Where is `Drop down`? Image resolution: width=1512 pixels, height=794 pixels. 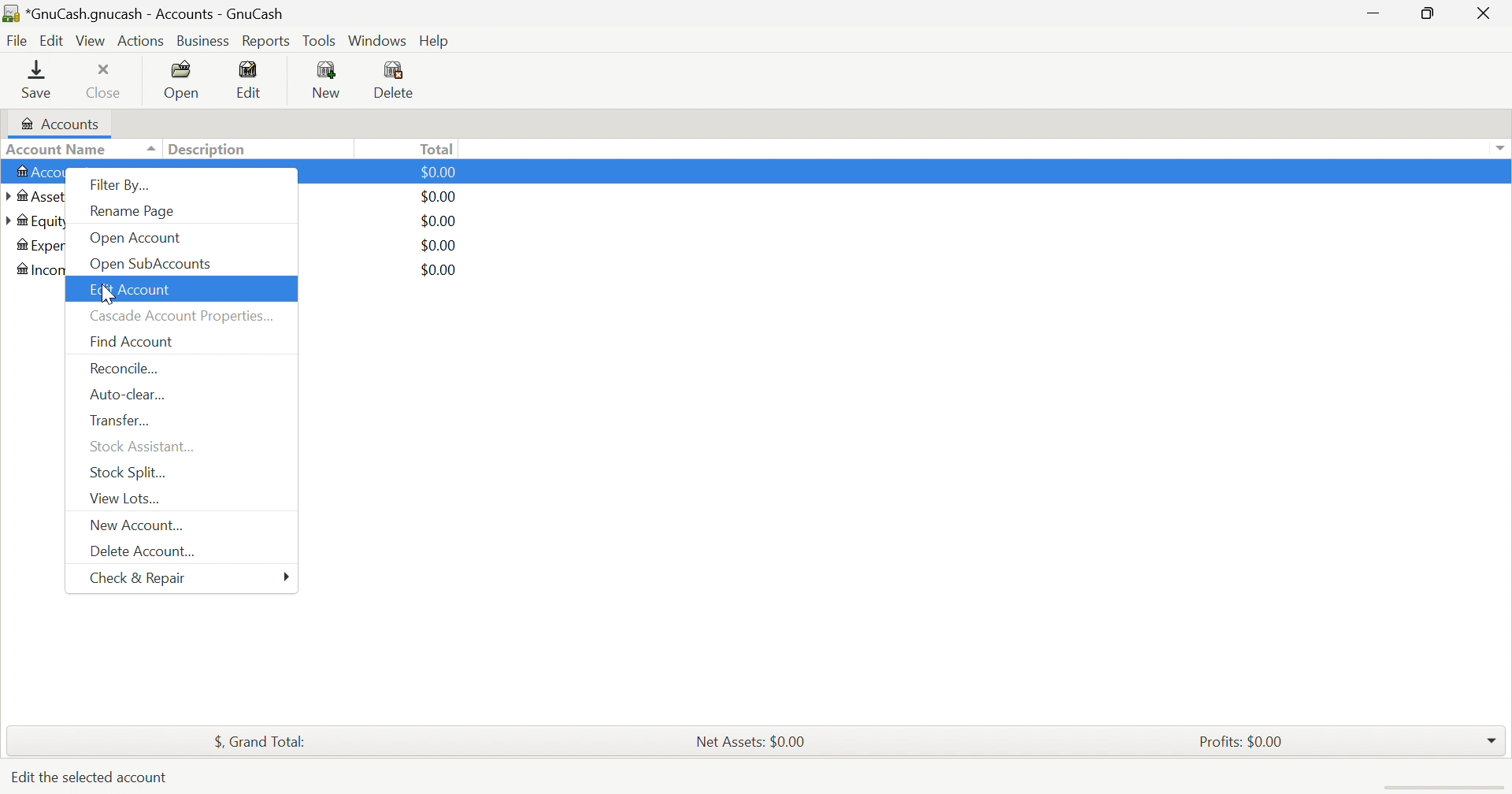
Drop down is located at coordinates (1500, 147).